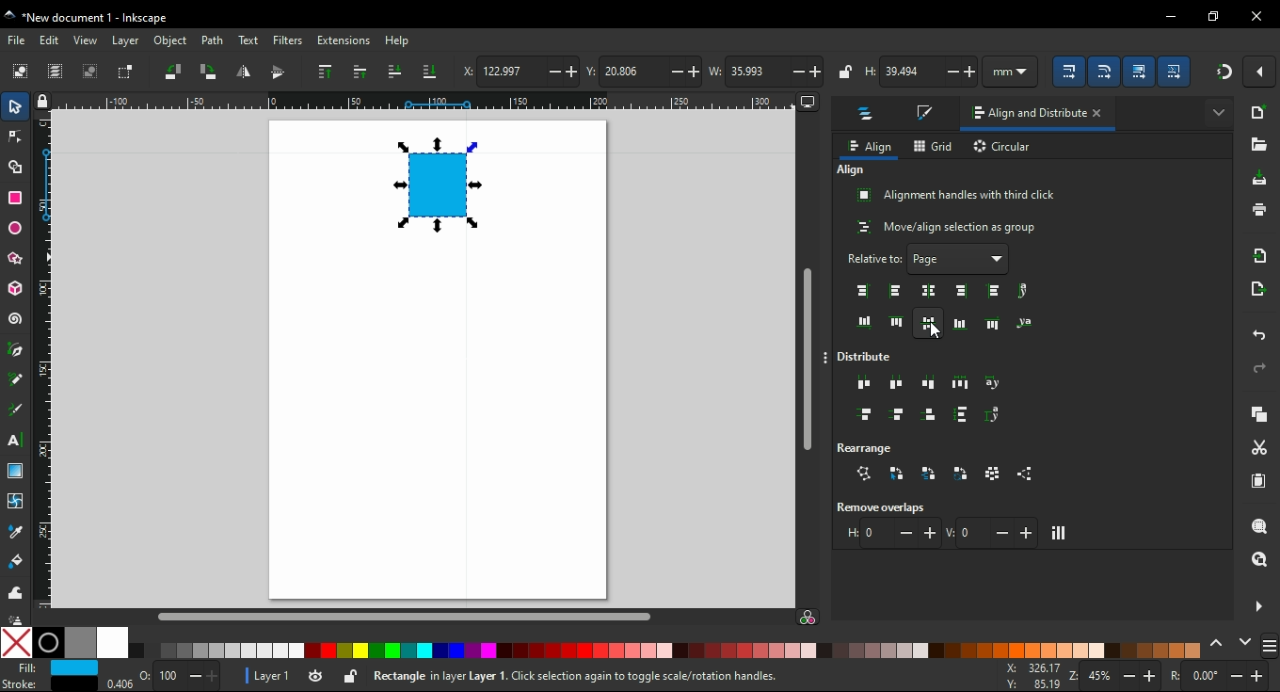  Describe the element at coordinates (927, 114) in the screenshot. I see `fill and stroke` at that location.